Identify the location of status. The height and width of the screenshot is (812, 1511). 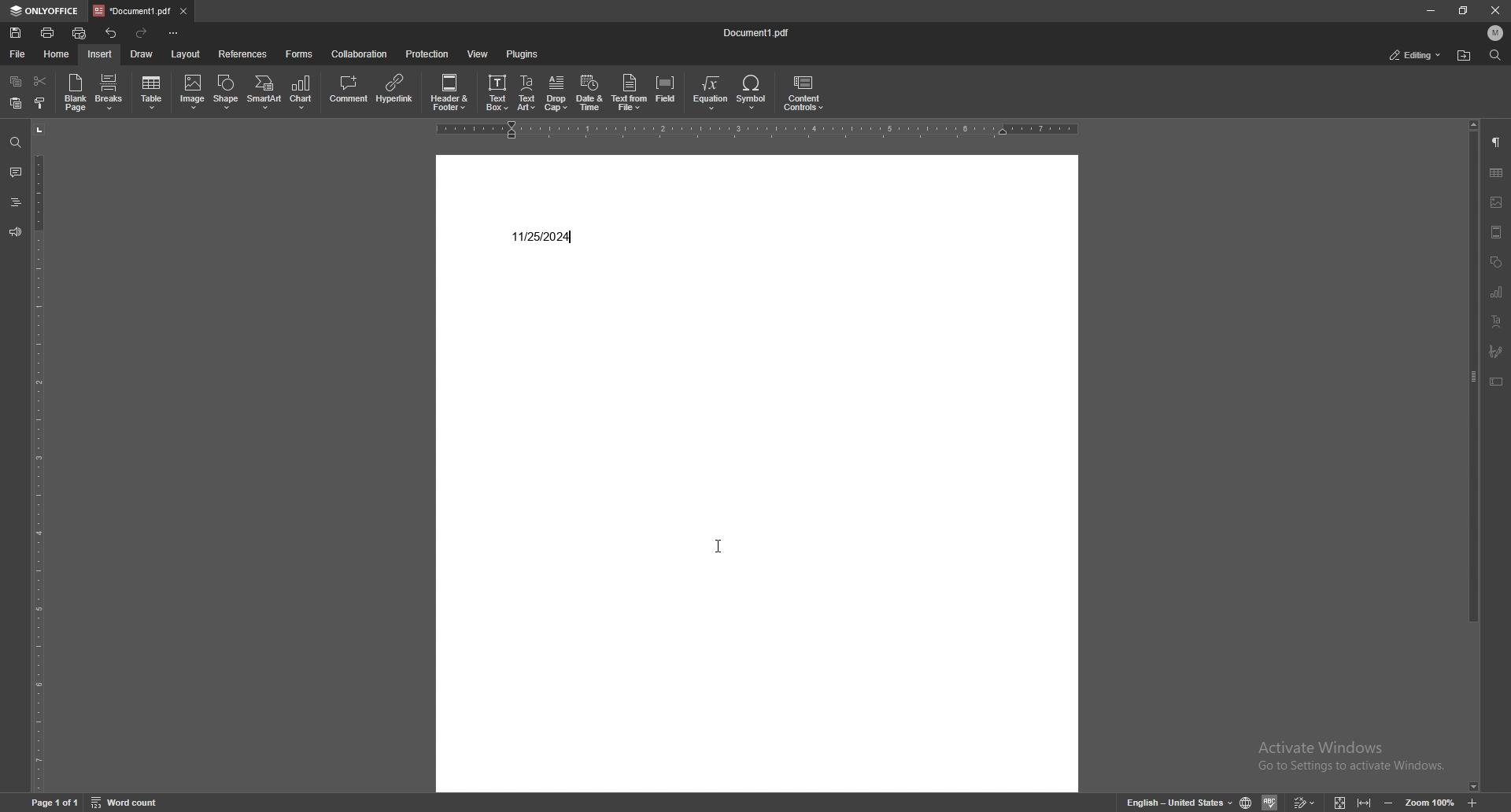
(1415, 56).